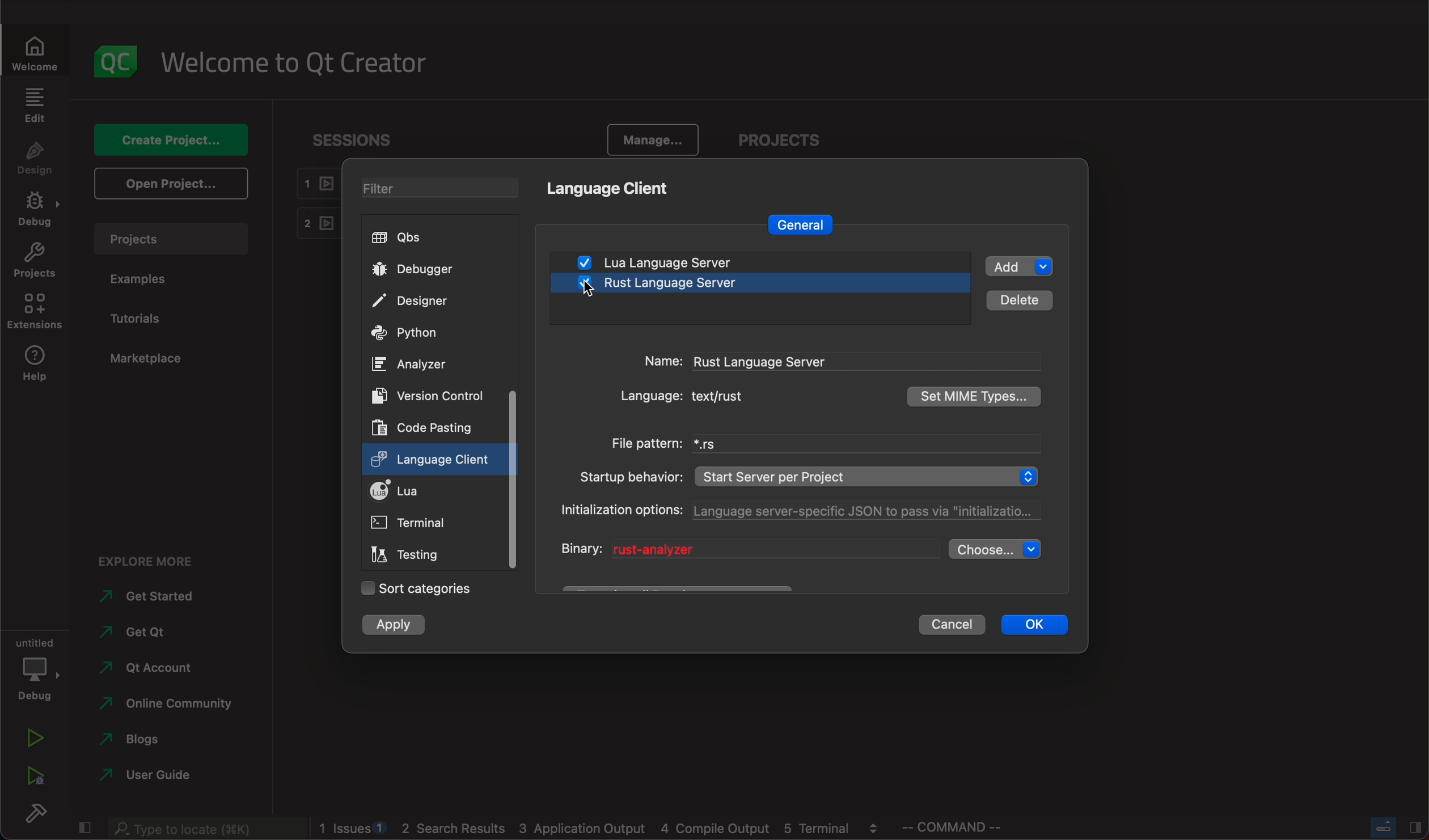 This screenshot has height=840, width=1429. I want to click on community, so click(173, 707).